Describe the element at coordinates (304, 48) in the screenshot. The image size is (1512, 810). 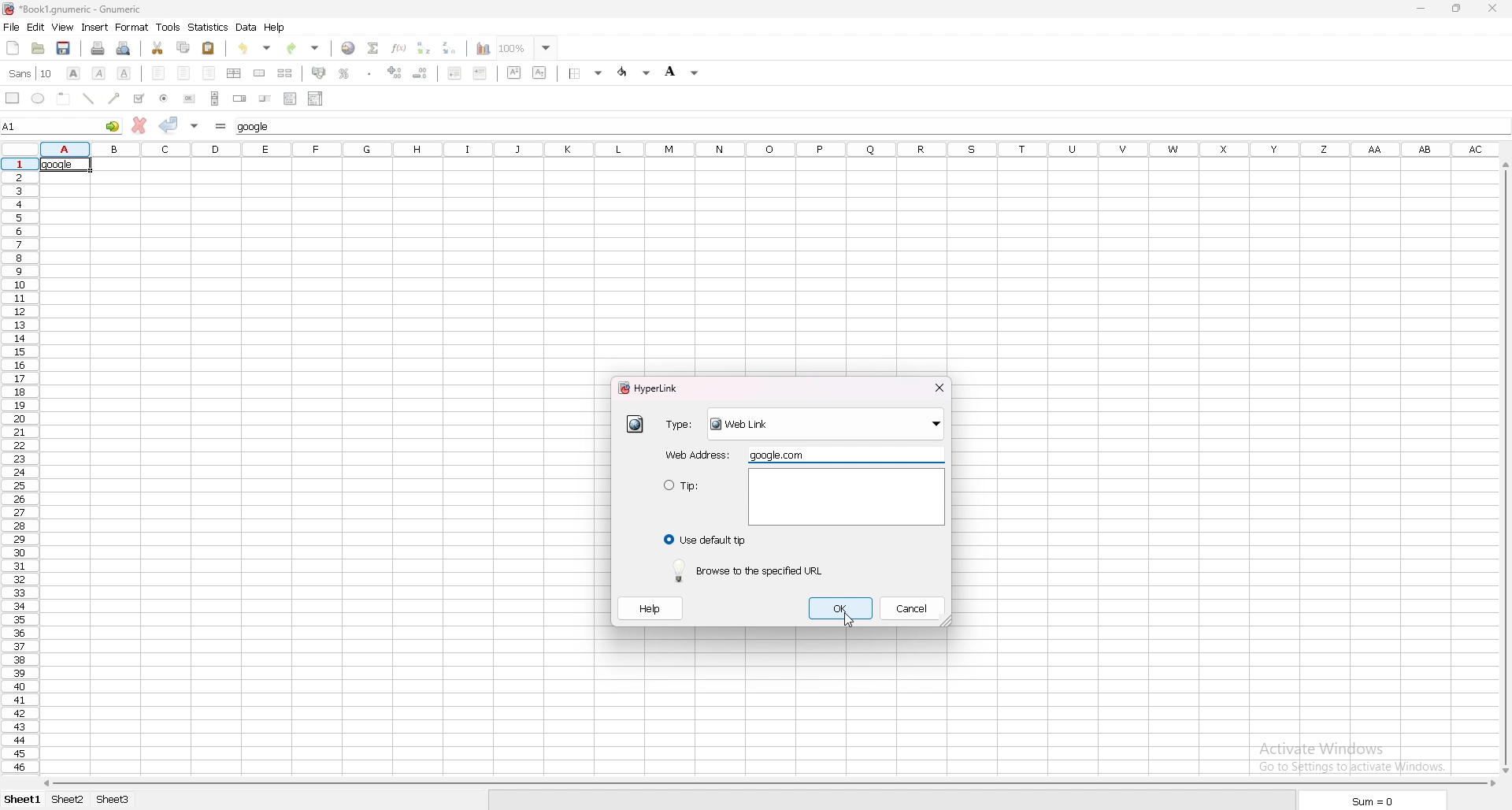
I see `redo` at that location.